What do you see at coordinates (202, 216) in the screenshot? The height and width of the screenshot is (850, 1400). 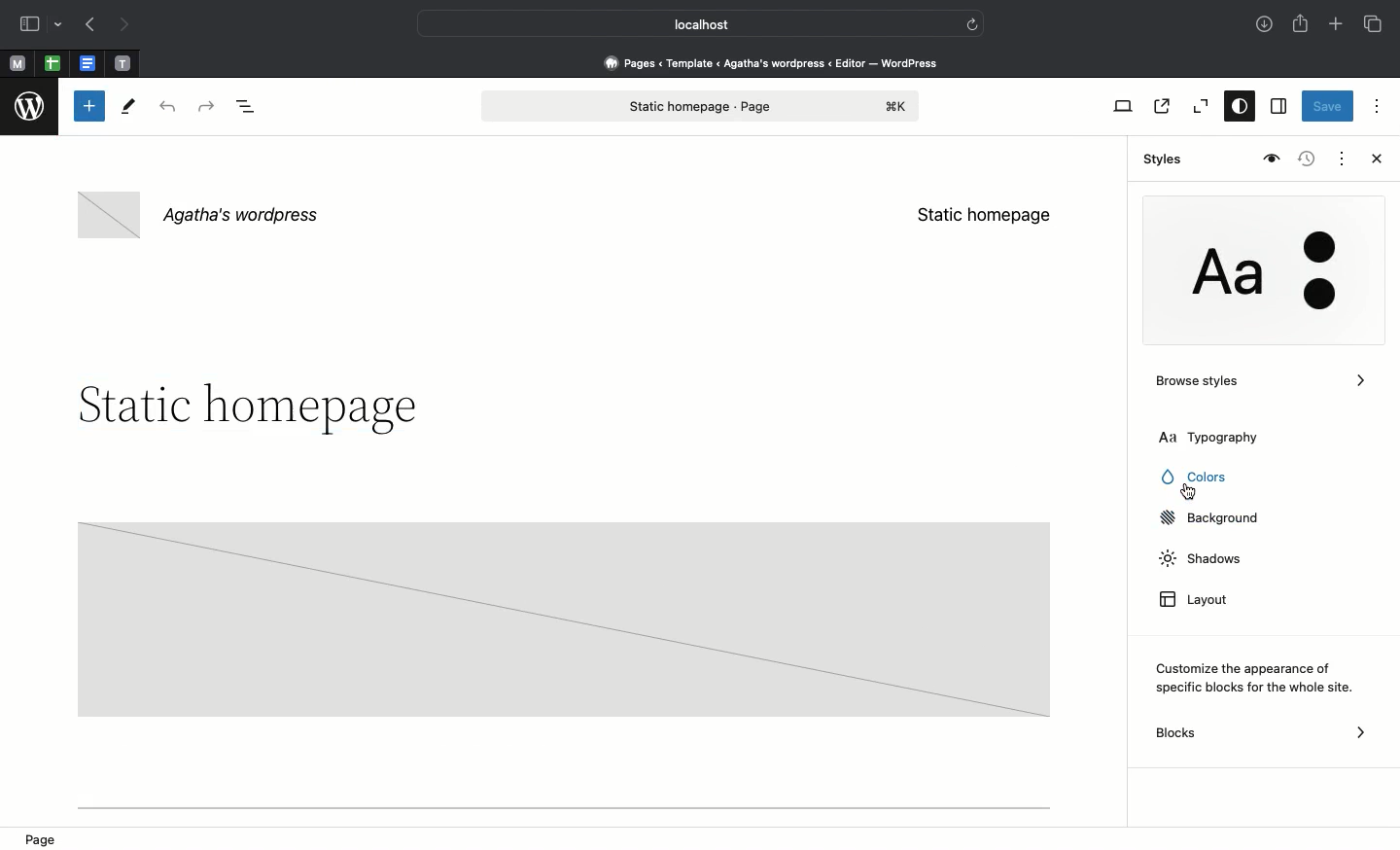 I see `Wordpress name` at bounding box center [202, 216].